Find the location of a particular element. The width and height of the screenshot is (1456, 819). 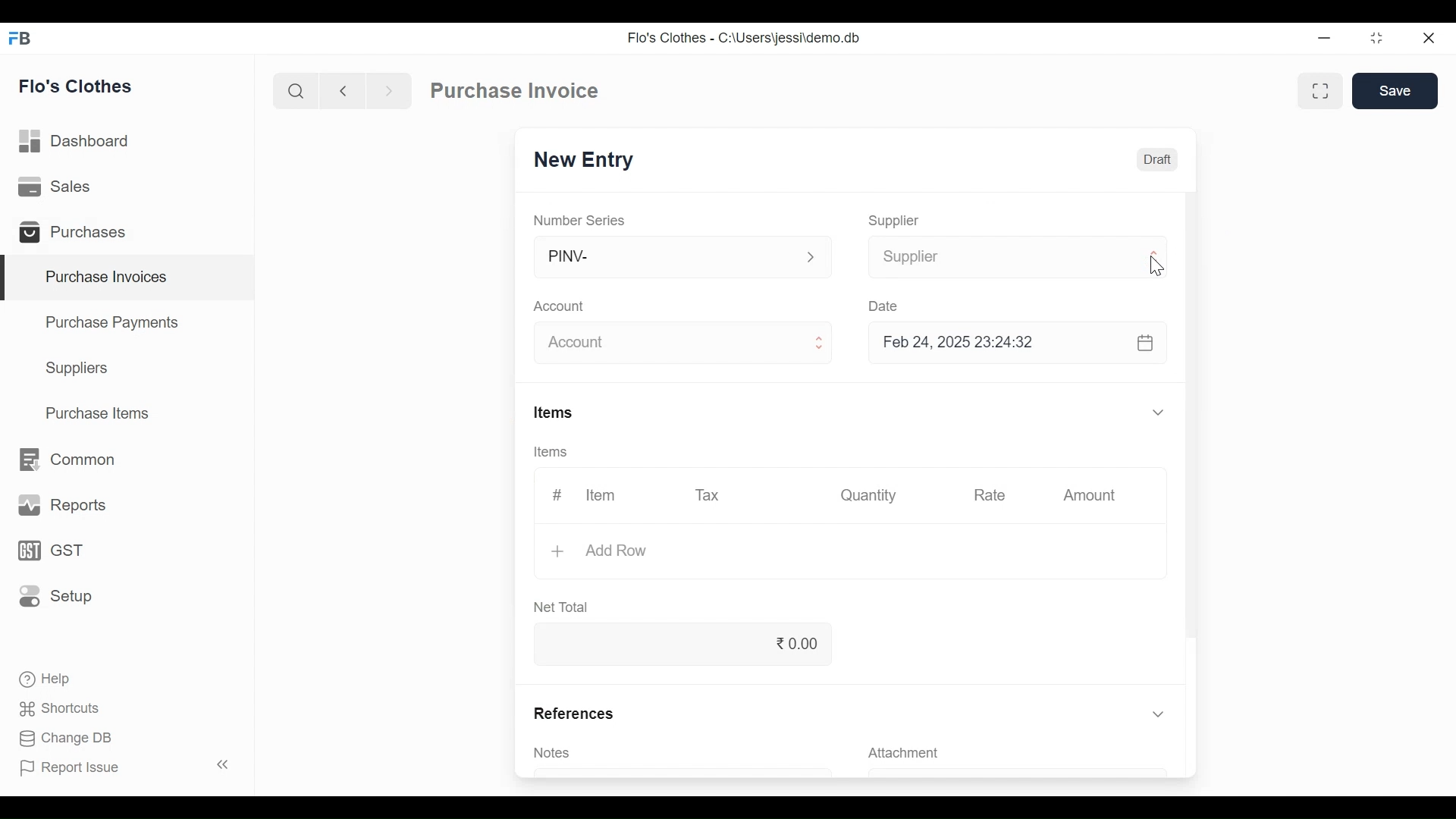

Flo's Clothes is located at coordinates (78, 86).